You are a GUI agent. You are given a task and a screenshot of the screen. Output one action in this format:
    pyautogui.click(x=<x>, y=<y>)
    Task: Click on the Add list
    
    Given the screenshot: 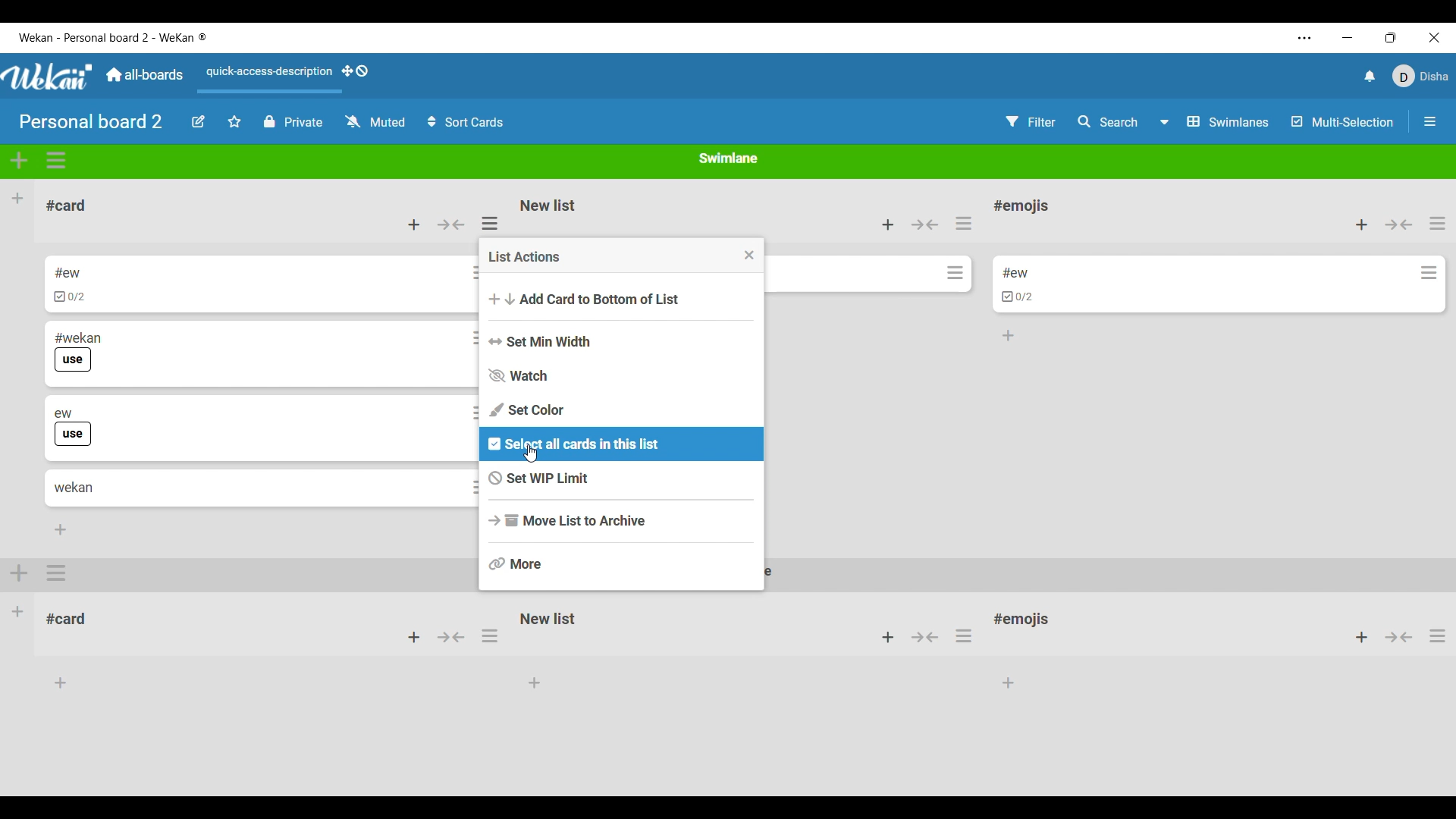 What is the action you would take?
    pyautogui.click(x=17, y=199)
    